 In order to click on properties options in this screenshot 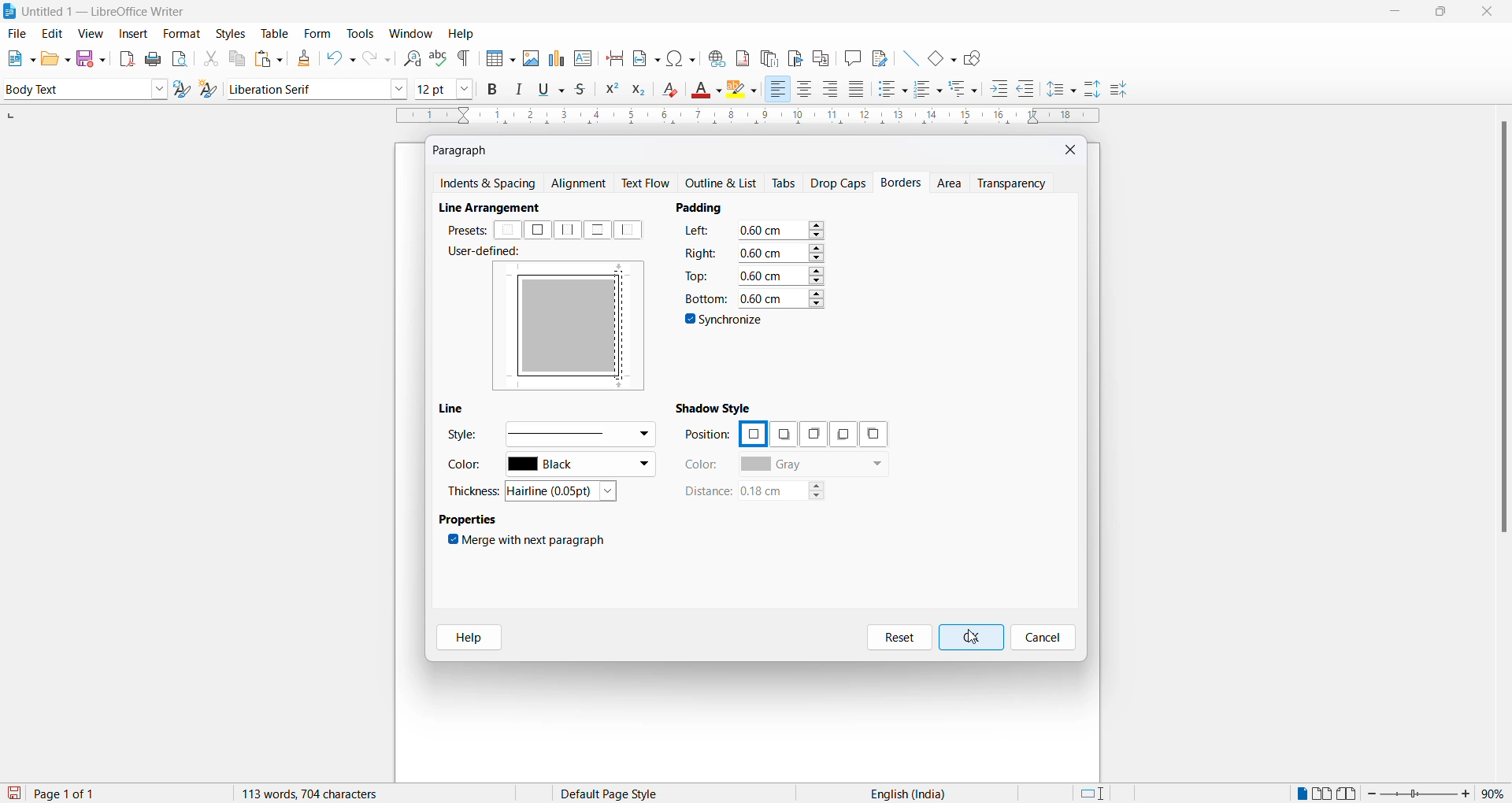, I will do `click(469, 521)`.